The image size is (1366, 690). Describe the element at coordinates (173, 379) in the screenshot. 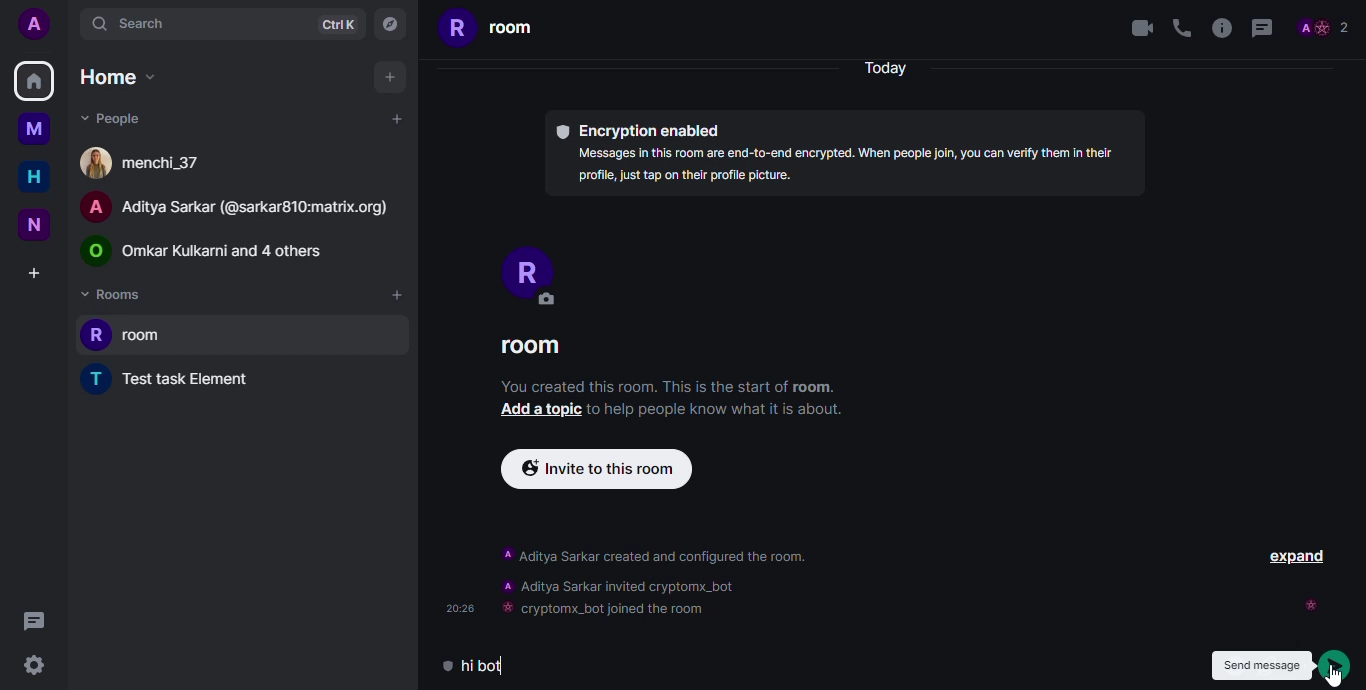

I see `test task element` at that location.